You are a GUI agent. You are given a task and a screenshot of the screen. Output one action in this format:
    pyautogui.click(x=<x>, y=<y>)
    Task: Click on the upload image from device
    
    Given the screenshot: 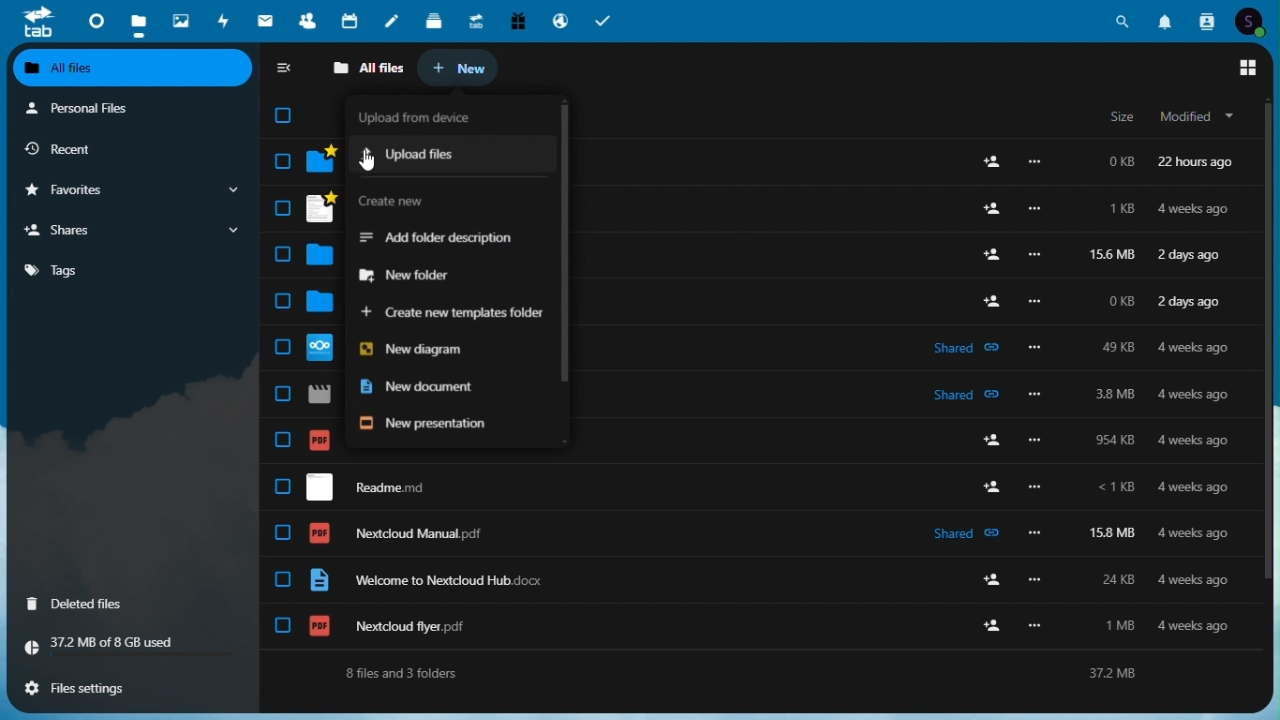 What is the action you would take?
    pyautogui.click(x=441, y=114)
    